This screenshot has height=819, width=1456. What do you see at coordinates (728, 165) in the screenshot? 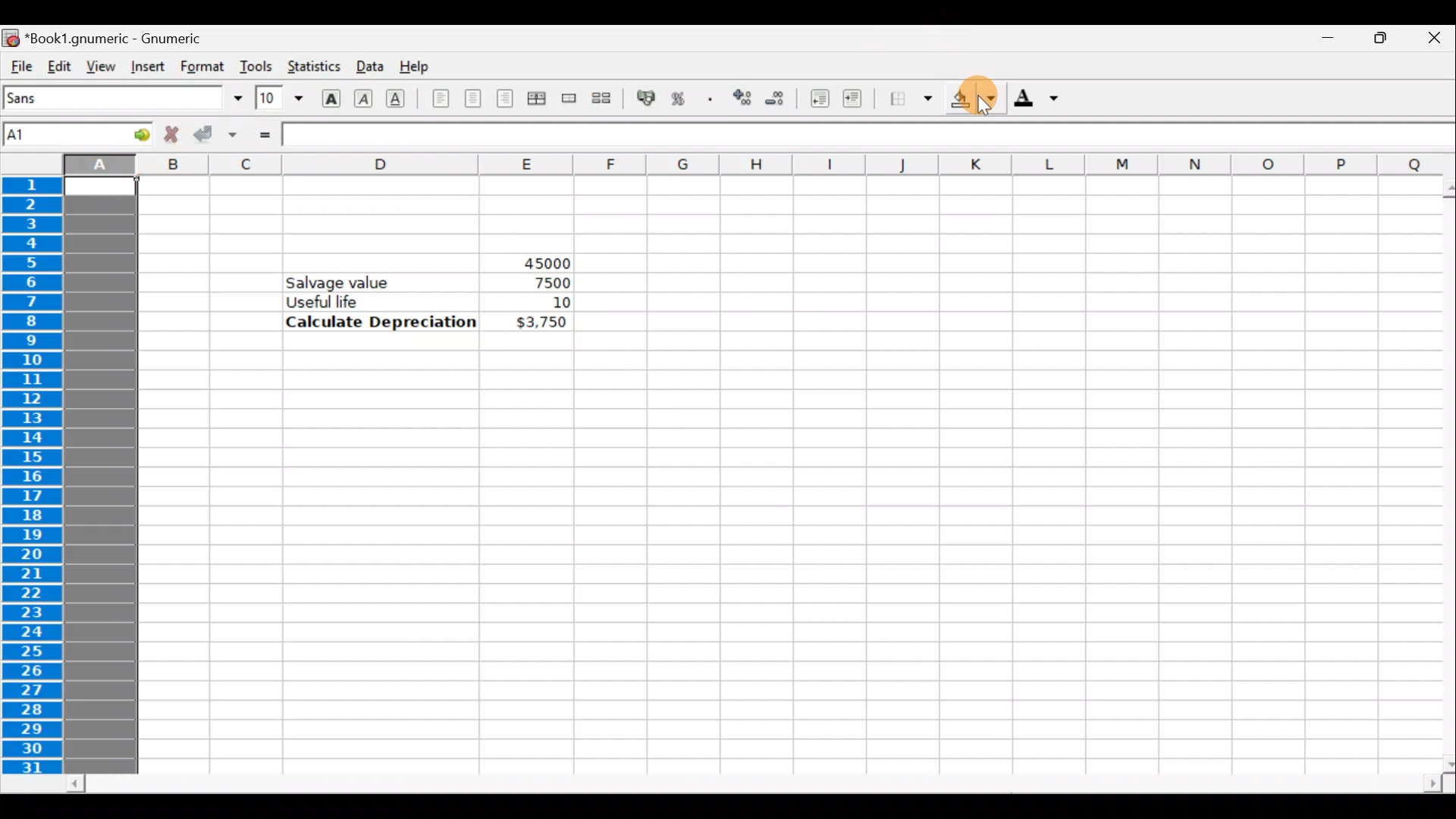
I see `Columns` at bounding box center [728, 165].